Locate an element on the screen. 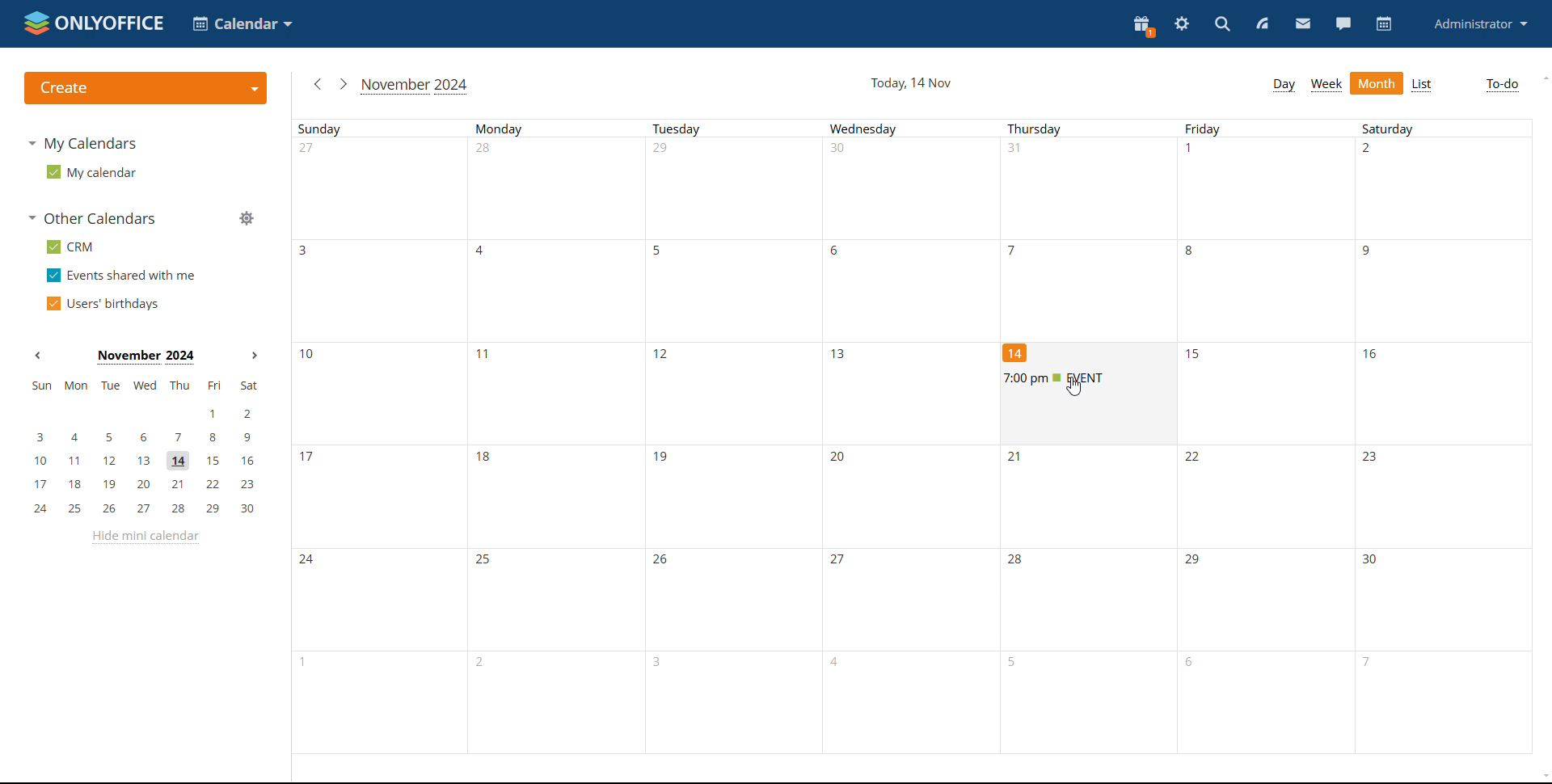 The width and height of the screenshot is (1552, 784). create is located at coordinates (145, 88).